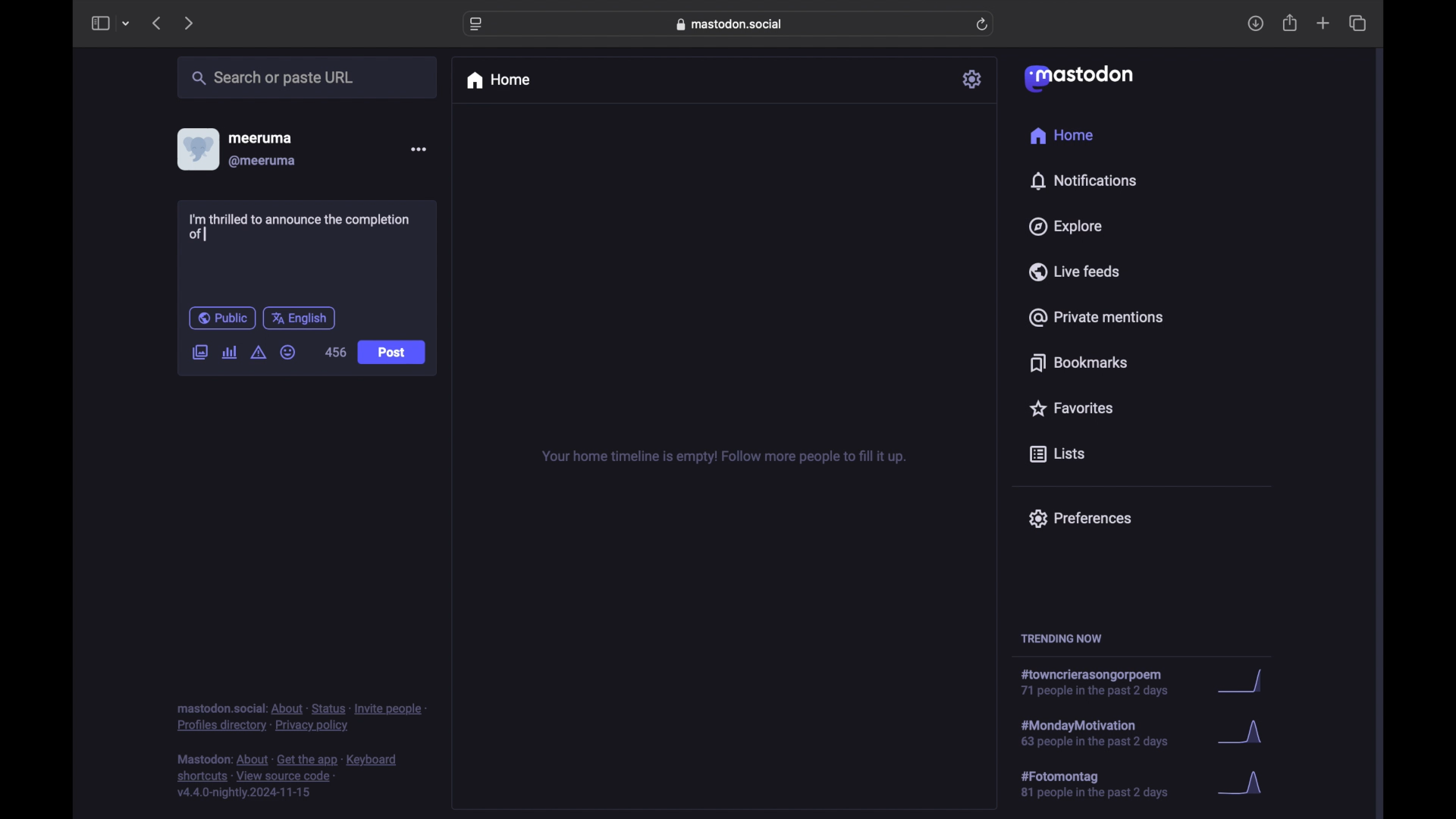  What do you see at coordinates (1061, 639) in the screenshot?
I see `trending now` at bounding box center [1061, 639].